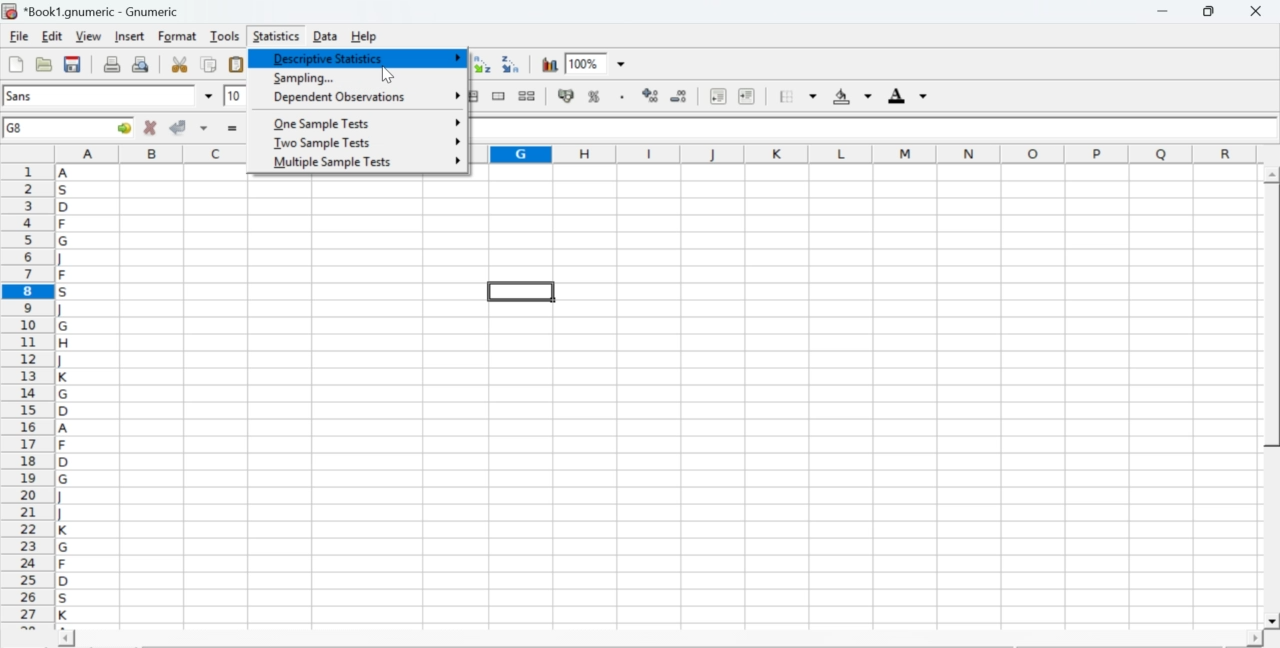 The image size is (1280, 648). Describe the element at coordinates (203, 127) in the screenshot. I see `accept changes across selection` at that location.